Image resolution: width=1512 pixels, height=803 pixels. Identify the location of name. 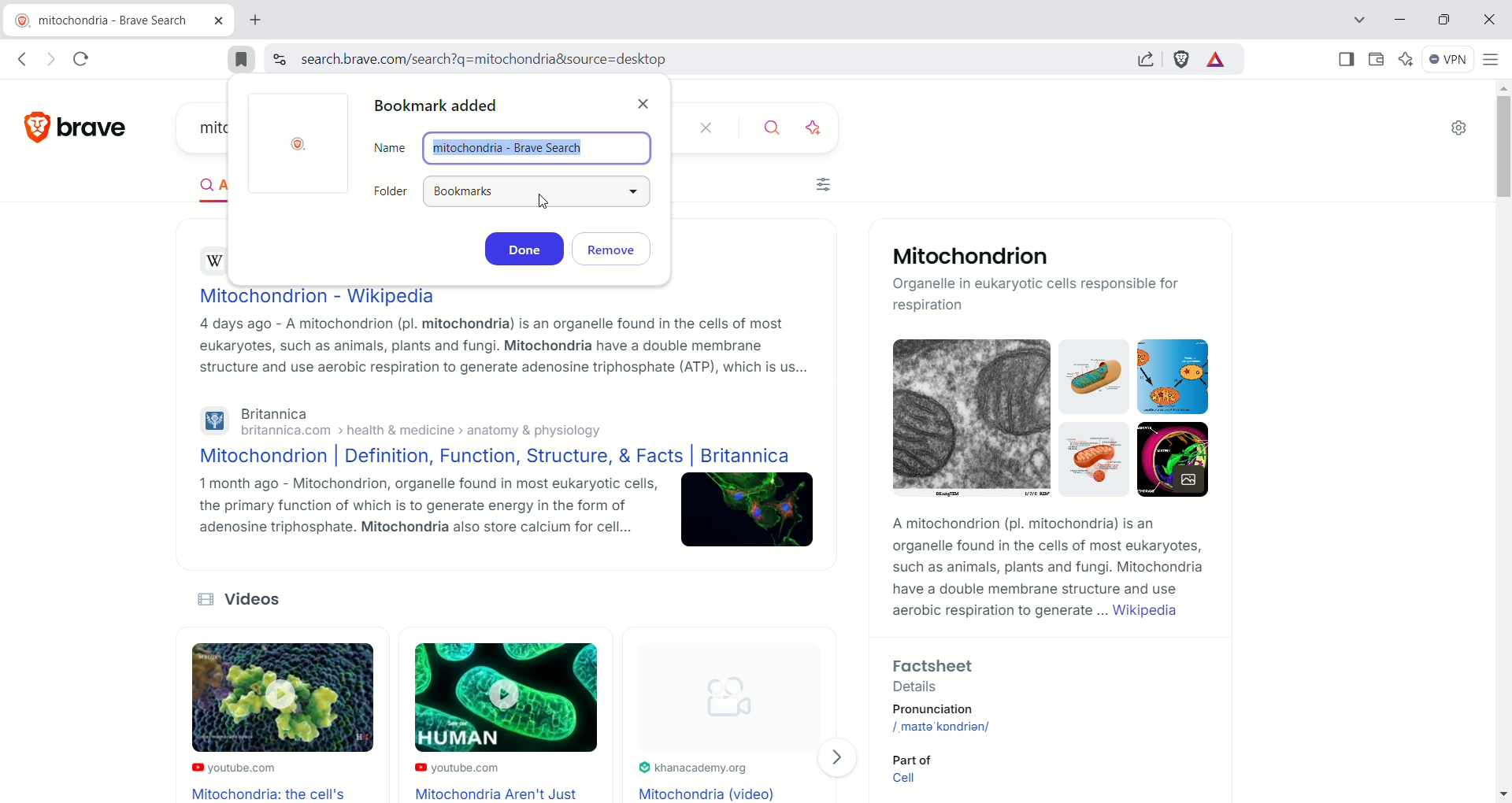
(514, 148).